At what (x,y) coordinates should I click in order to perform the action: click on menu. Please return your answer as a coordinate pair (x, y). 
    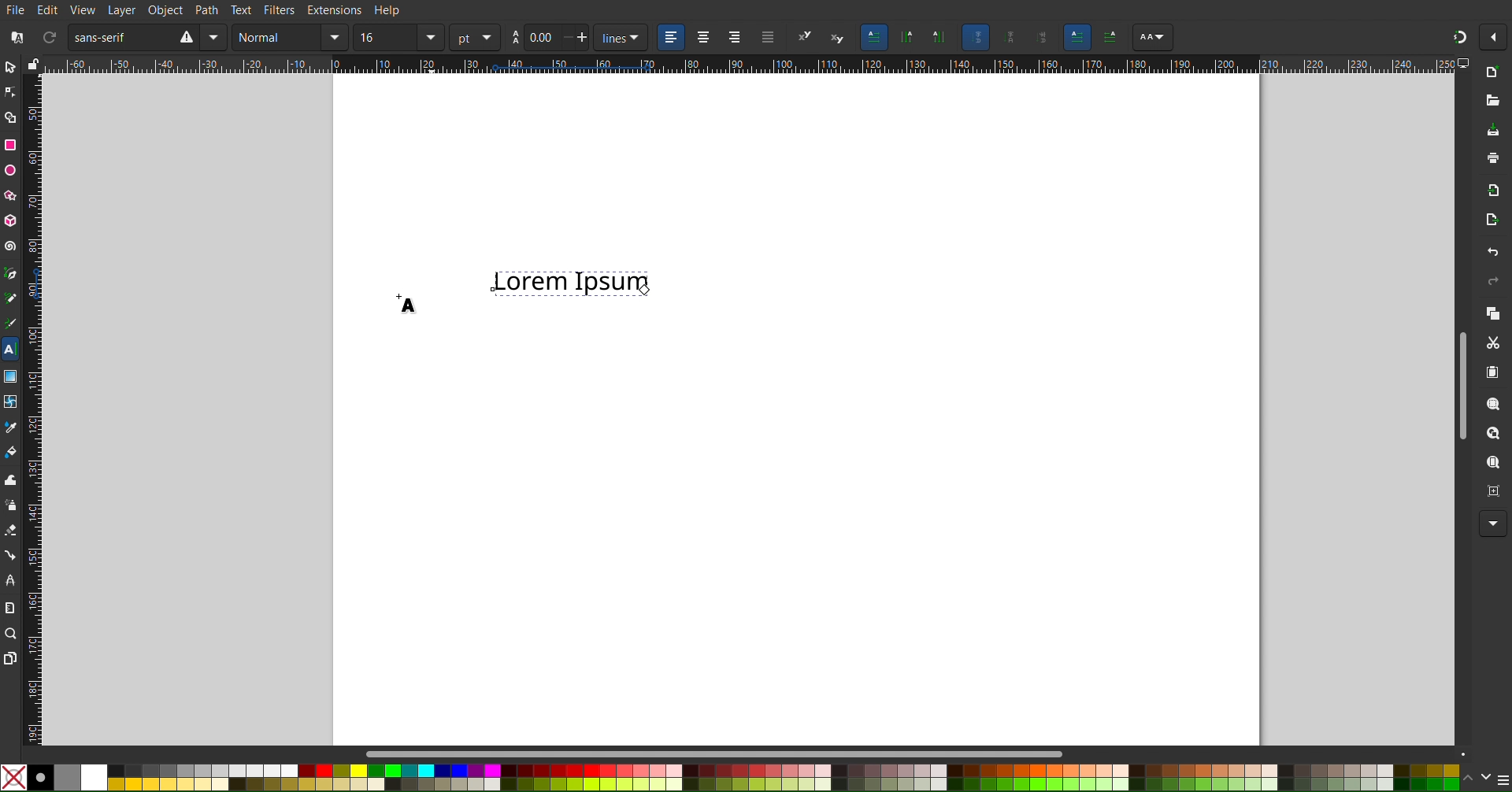
    Looking at the image, I should click on (1503, 779).